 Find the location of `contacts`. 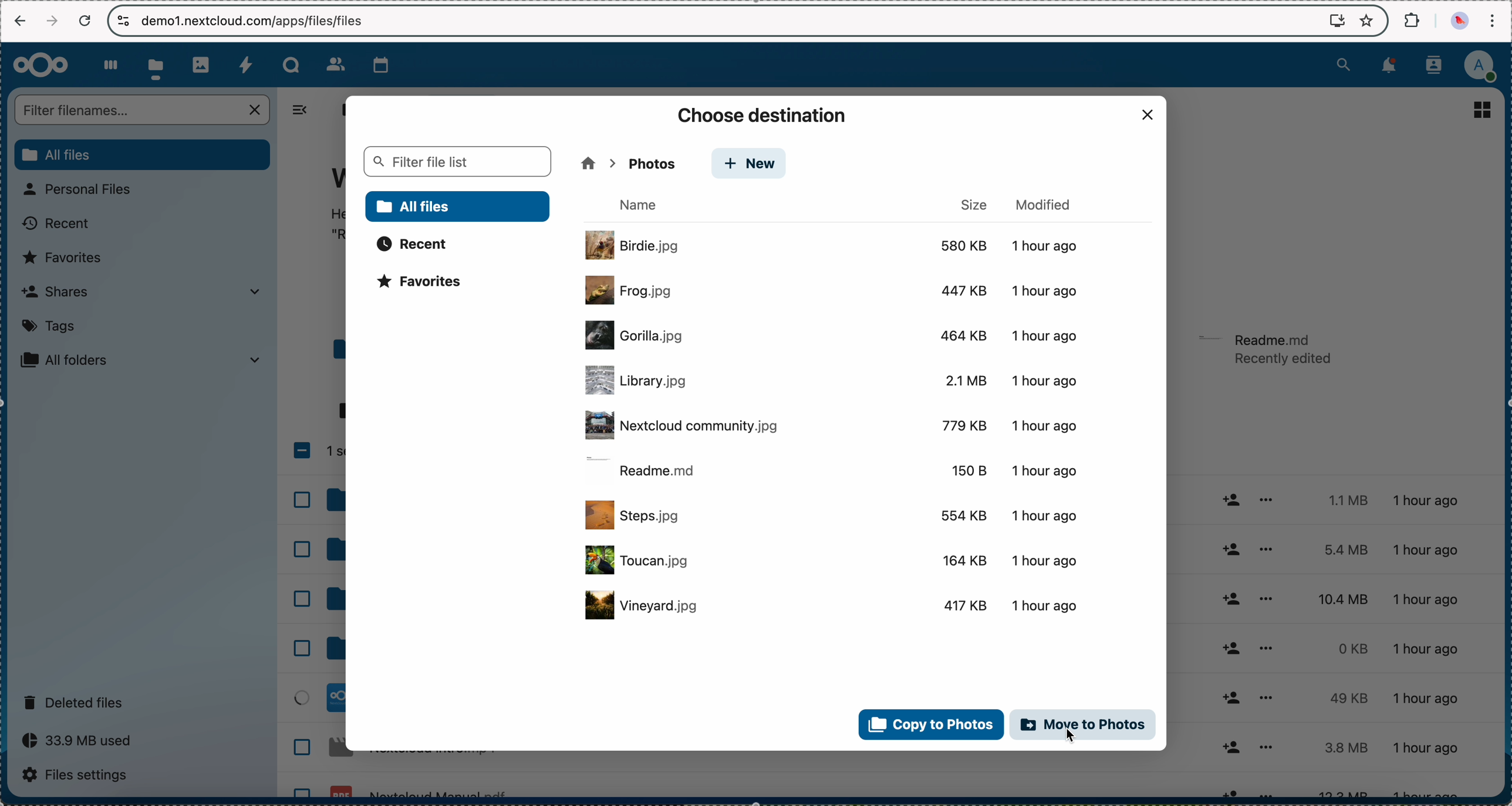

contacts is located at coordinates (328, 61).